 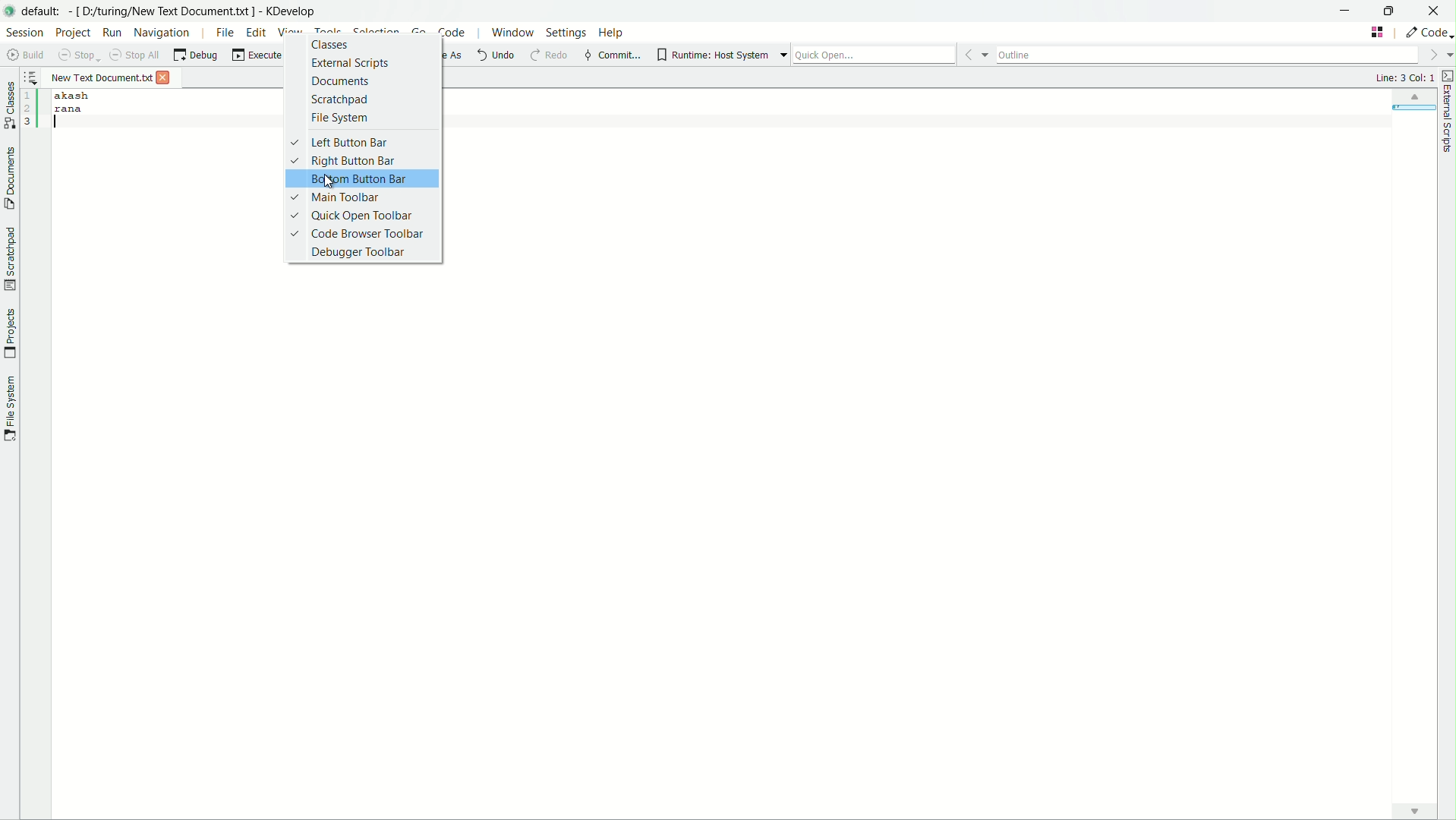 I want to click on execute action to change the area, so click(x=1427, y=33).